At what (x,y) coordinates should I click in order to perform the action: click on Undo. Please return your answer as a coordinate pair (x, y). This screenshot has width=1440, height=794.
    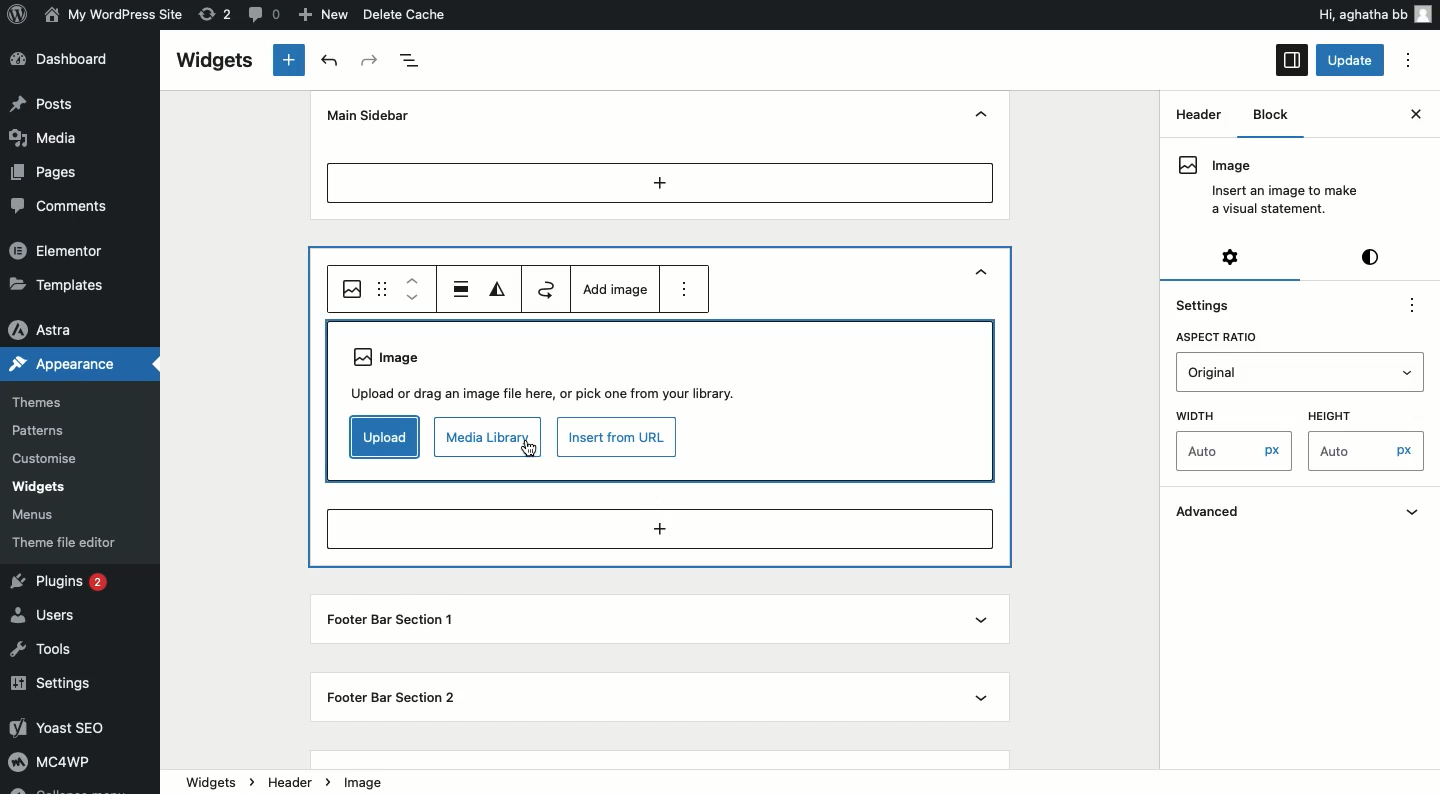
    Looking at the image, I should click on (333, 61).